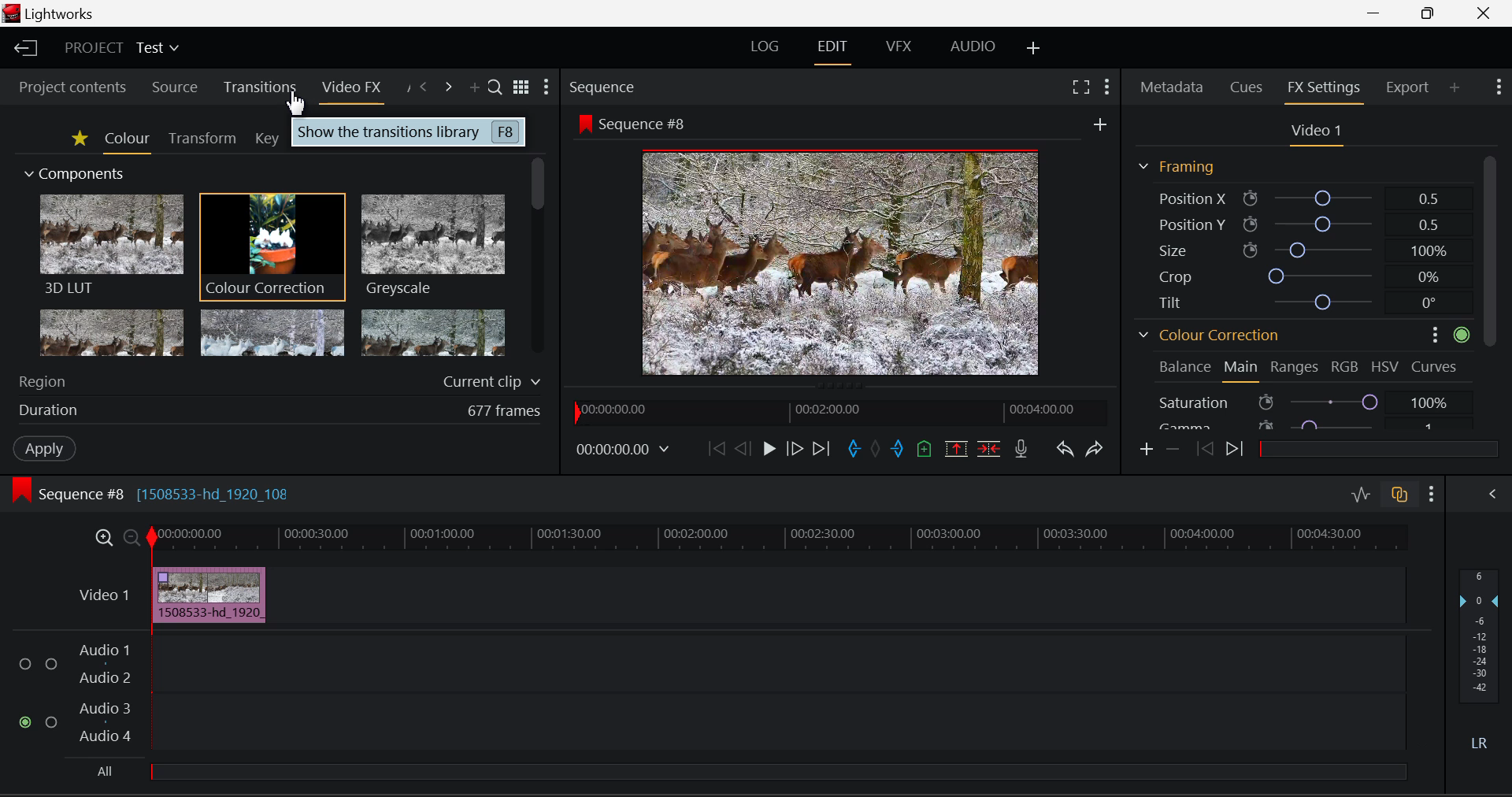  Describe the element at coordinates (1360, 498) in the screenshot. I see `Toggle Audio Levels Editing` at that location.